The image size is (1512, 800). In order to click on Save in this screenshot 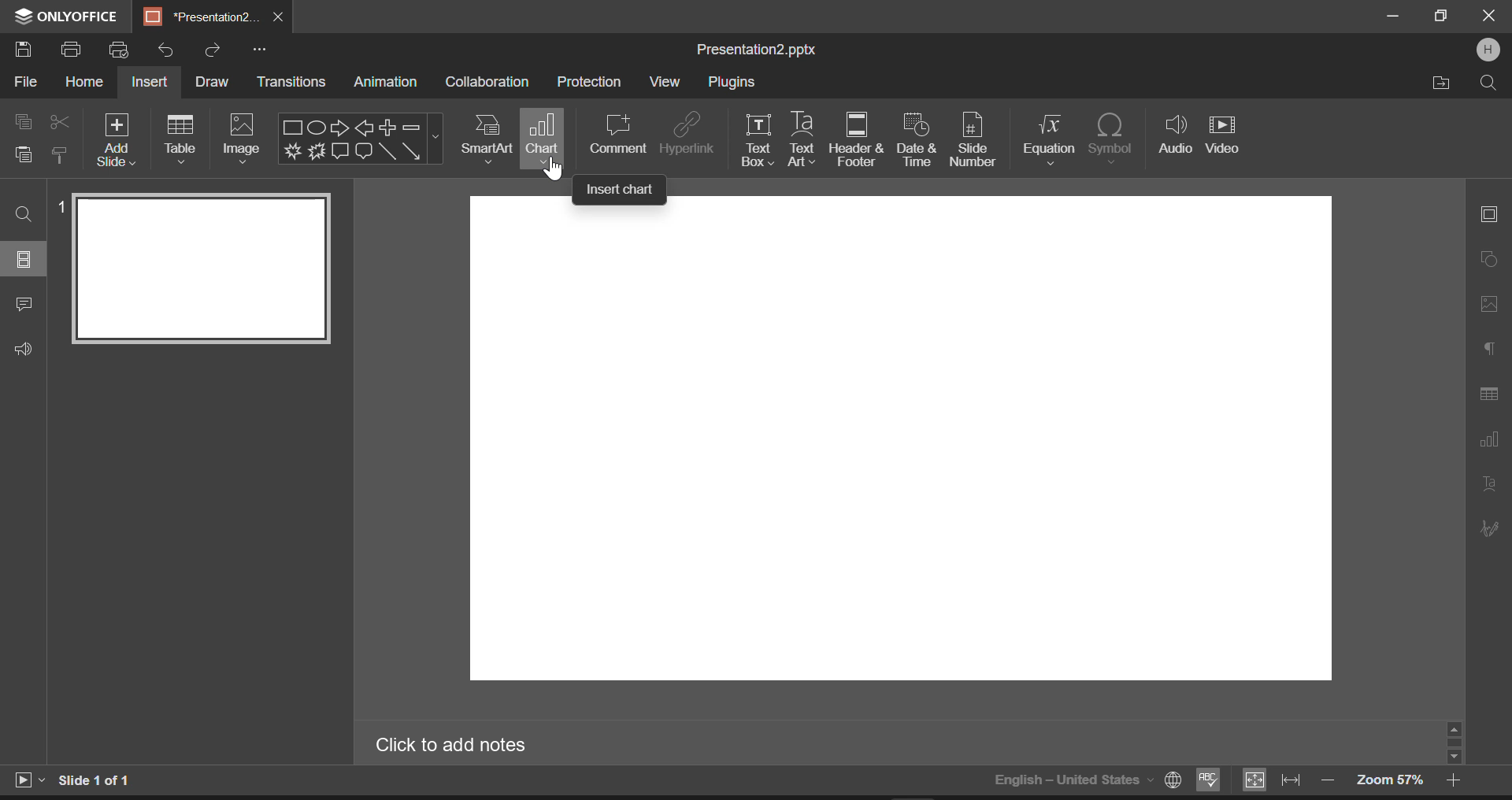, I will do `click(27, 50)`.